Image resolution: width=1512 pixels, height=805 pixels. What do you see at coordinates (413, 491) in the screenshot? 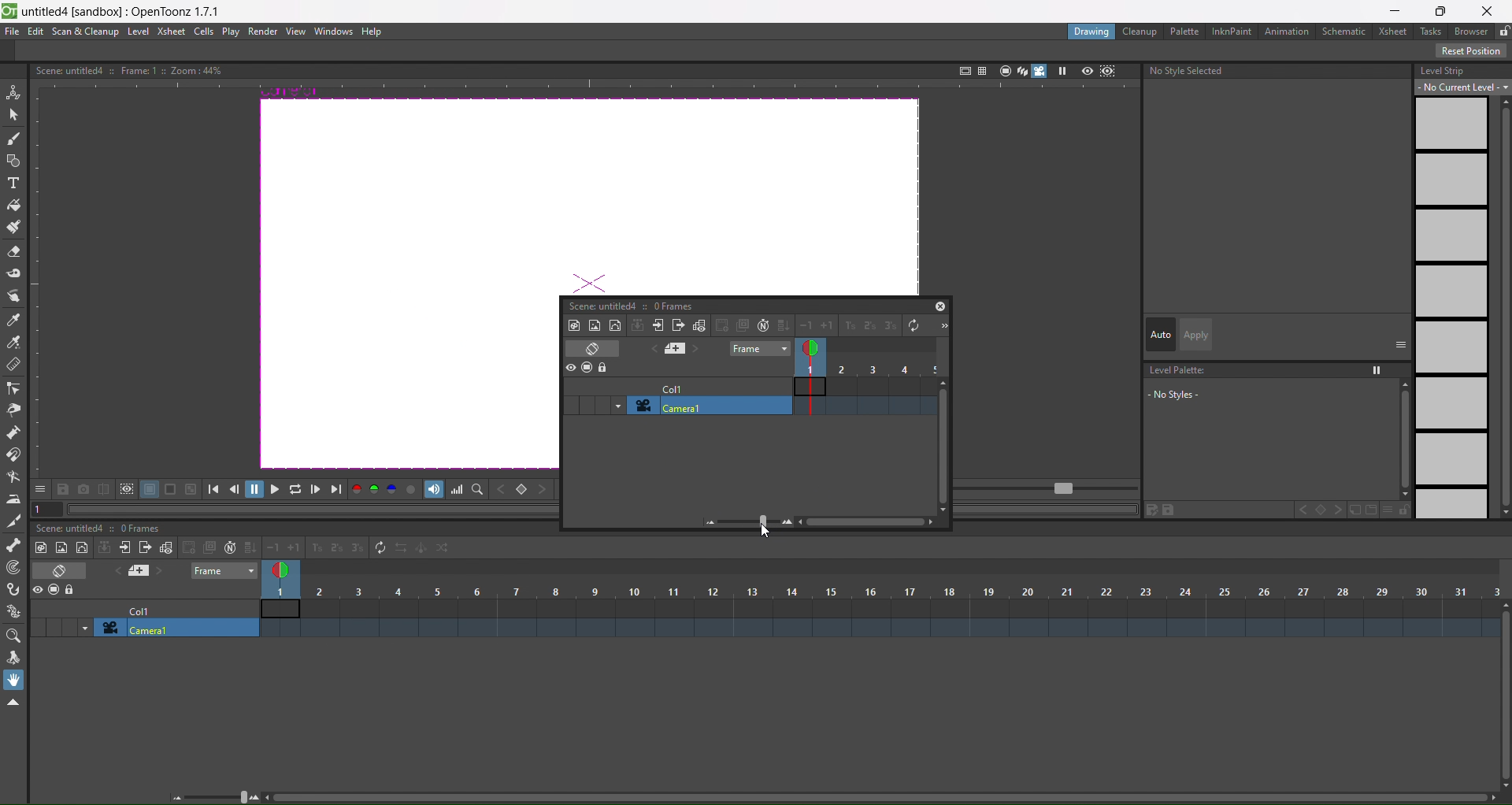
I see `channel` at bounding box center [413, 491].